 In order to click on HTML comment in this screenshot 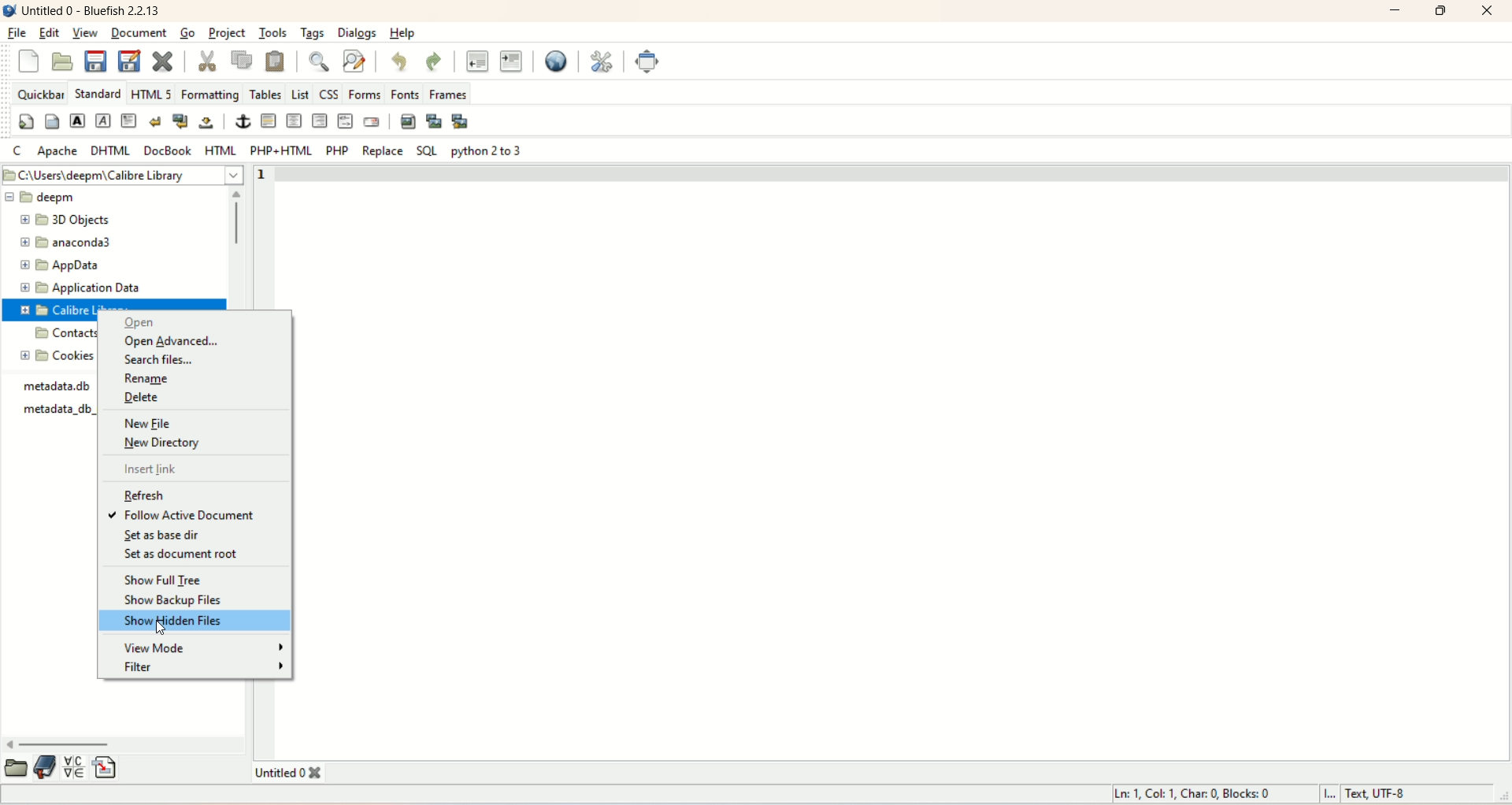, I will do `click(345, 121)`.